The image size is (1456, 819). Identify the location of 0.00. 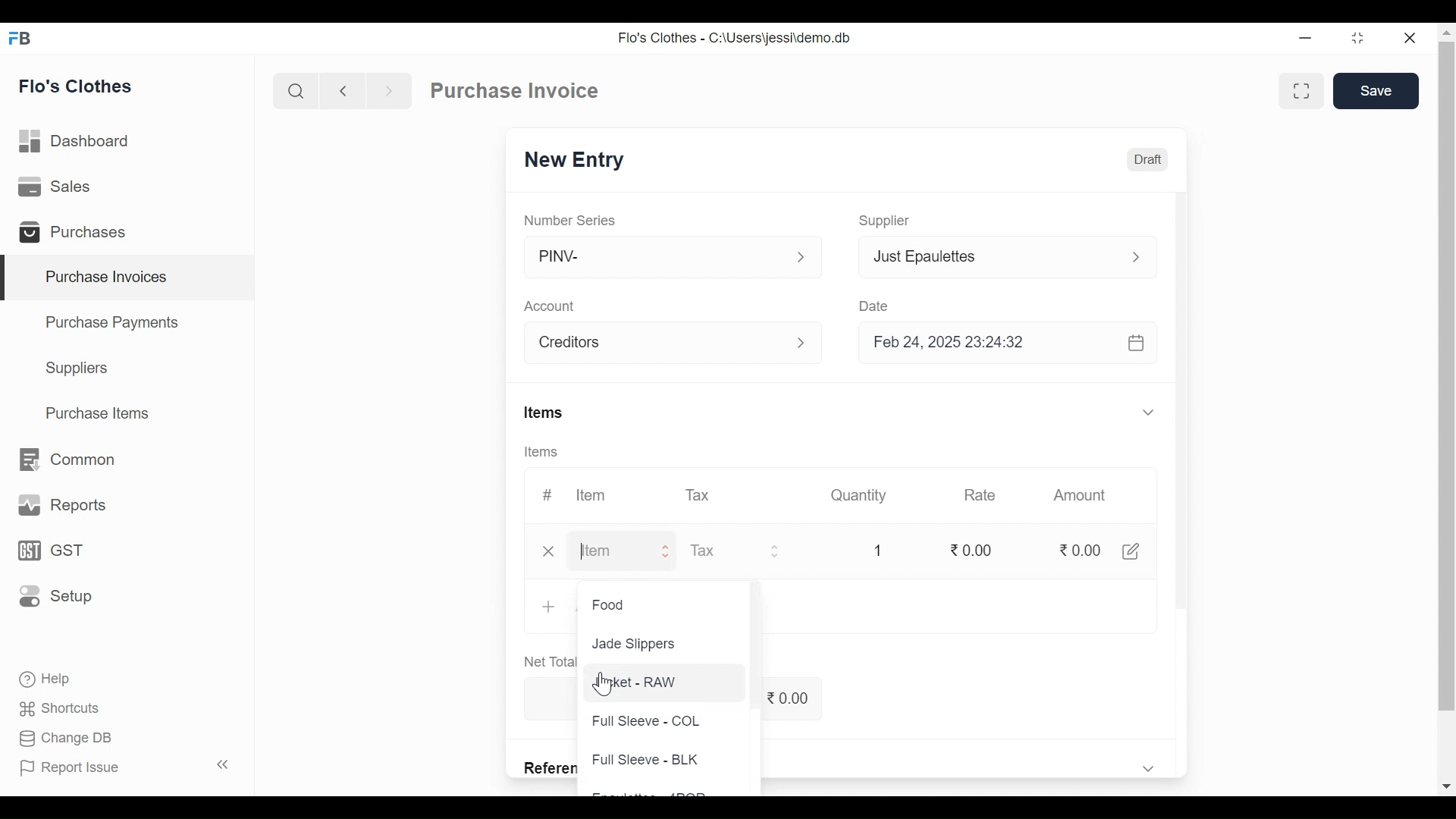
(1079, 549).